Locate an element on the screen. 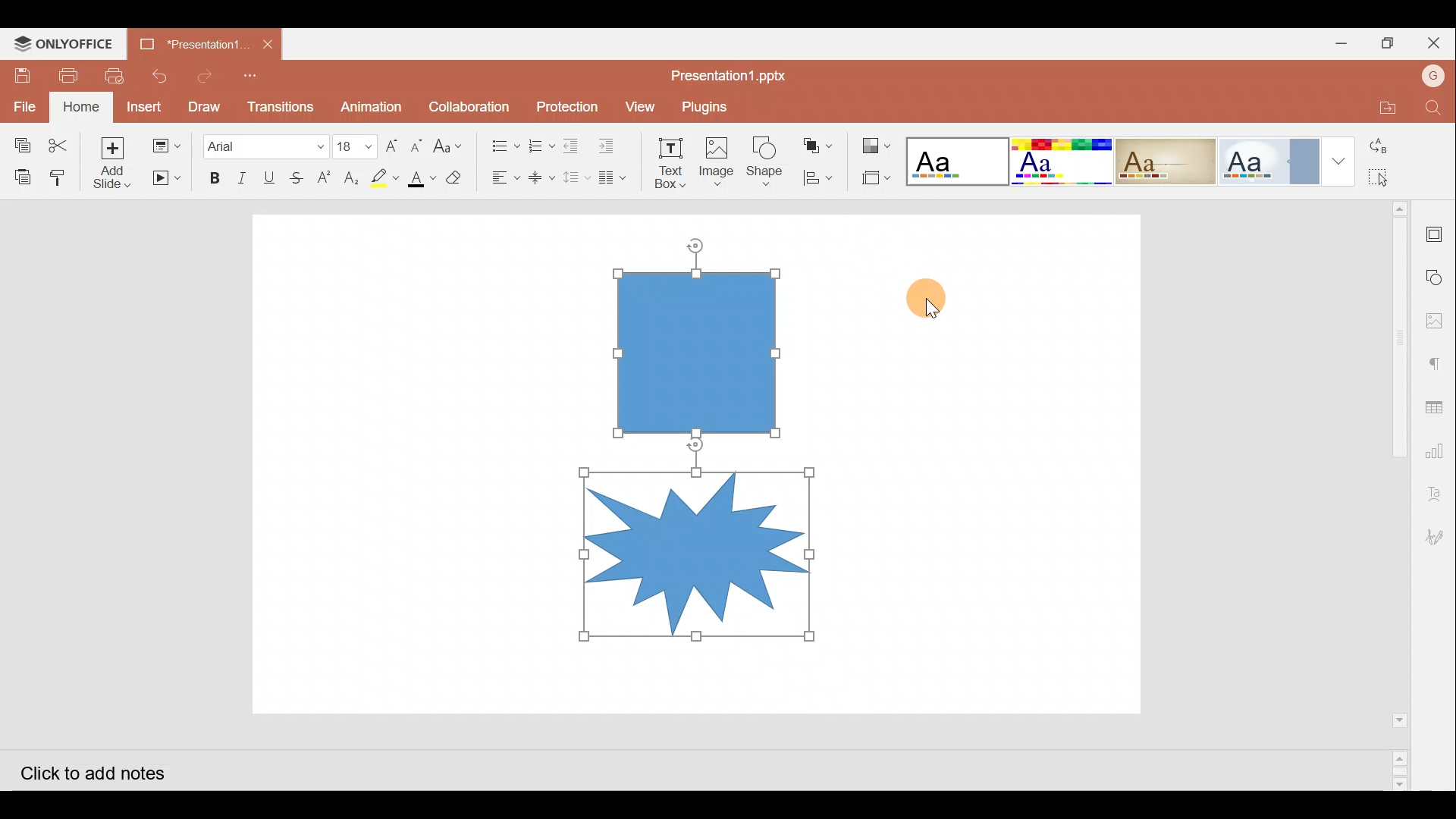 This screenshot has height=819, width=1456. Insert image is located at coordinates (715, 155).